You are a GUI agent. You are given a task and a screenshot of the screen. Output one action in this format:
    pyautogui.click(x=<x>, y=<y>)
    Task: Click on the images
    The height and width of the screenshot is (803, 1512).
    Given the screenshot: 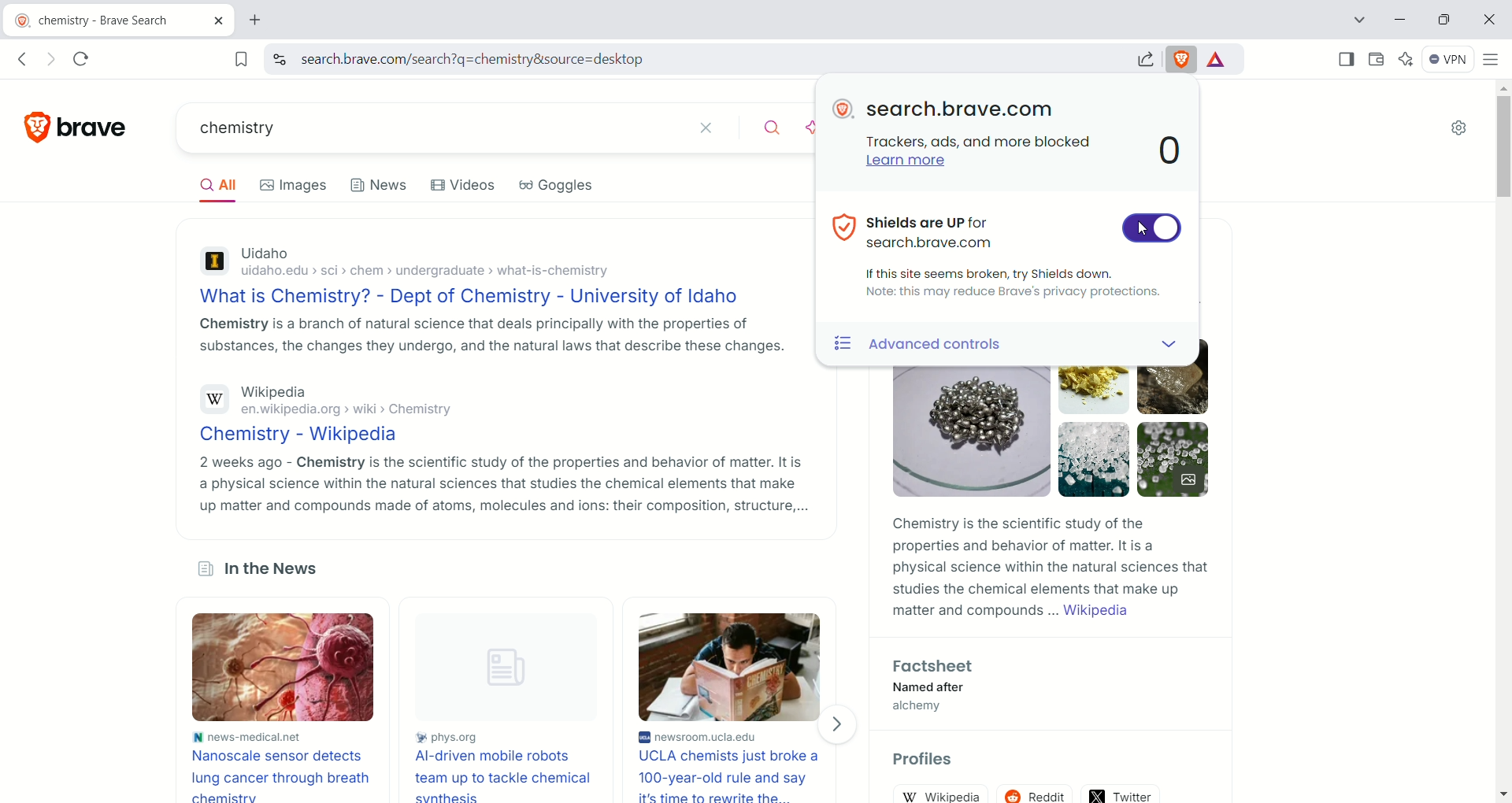 What is the action you would take?
    pyautogui.click(x=295, y=184)
    